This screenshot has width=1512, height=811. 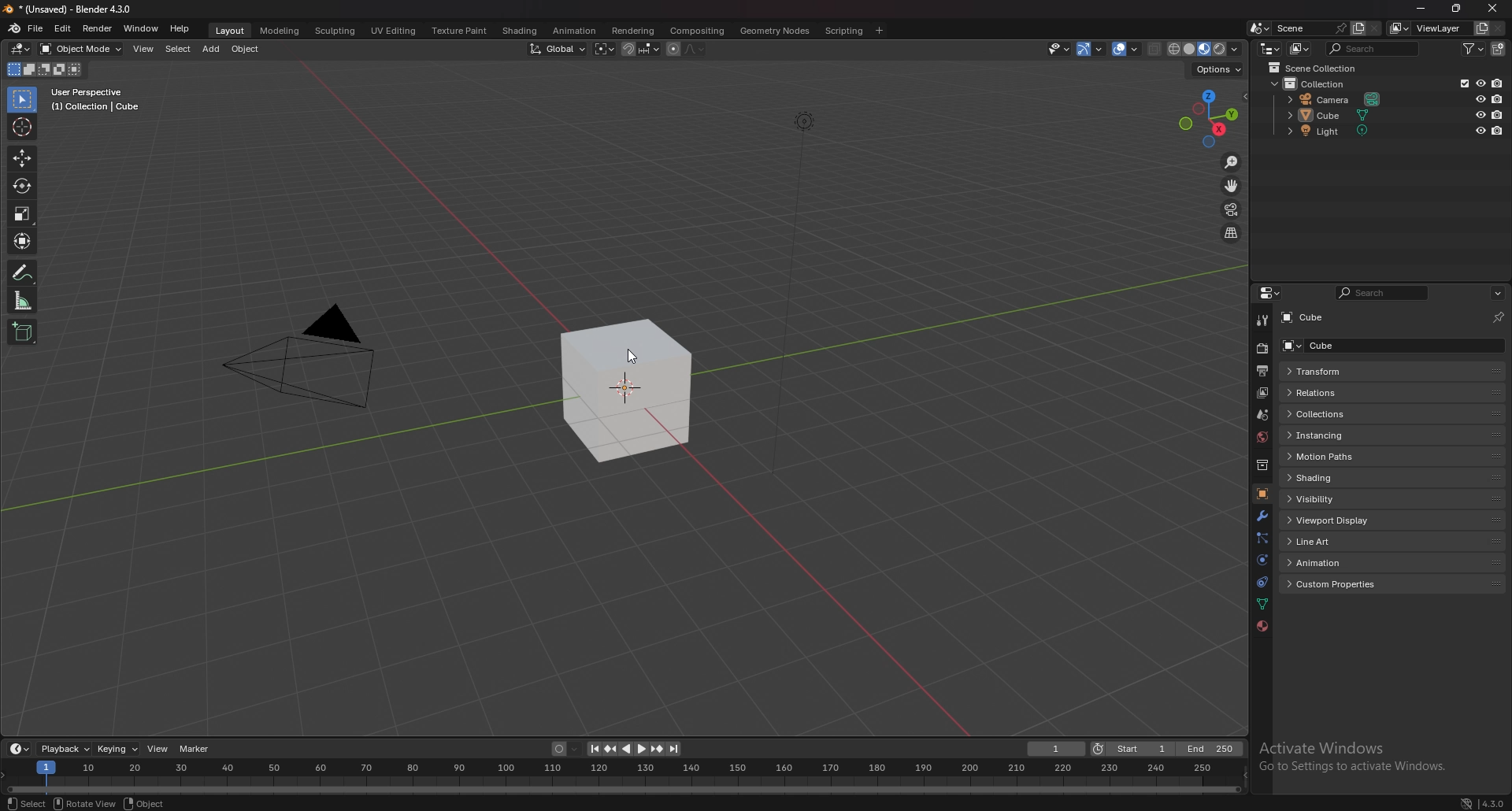 What do you see at coordinates (22, 49) in the screenshot?
I see `editor type` at bounding box center [22, 49].